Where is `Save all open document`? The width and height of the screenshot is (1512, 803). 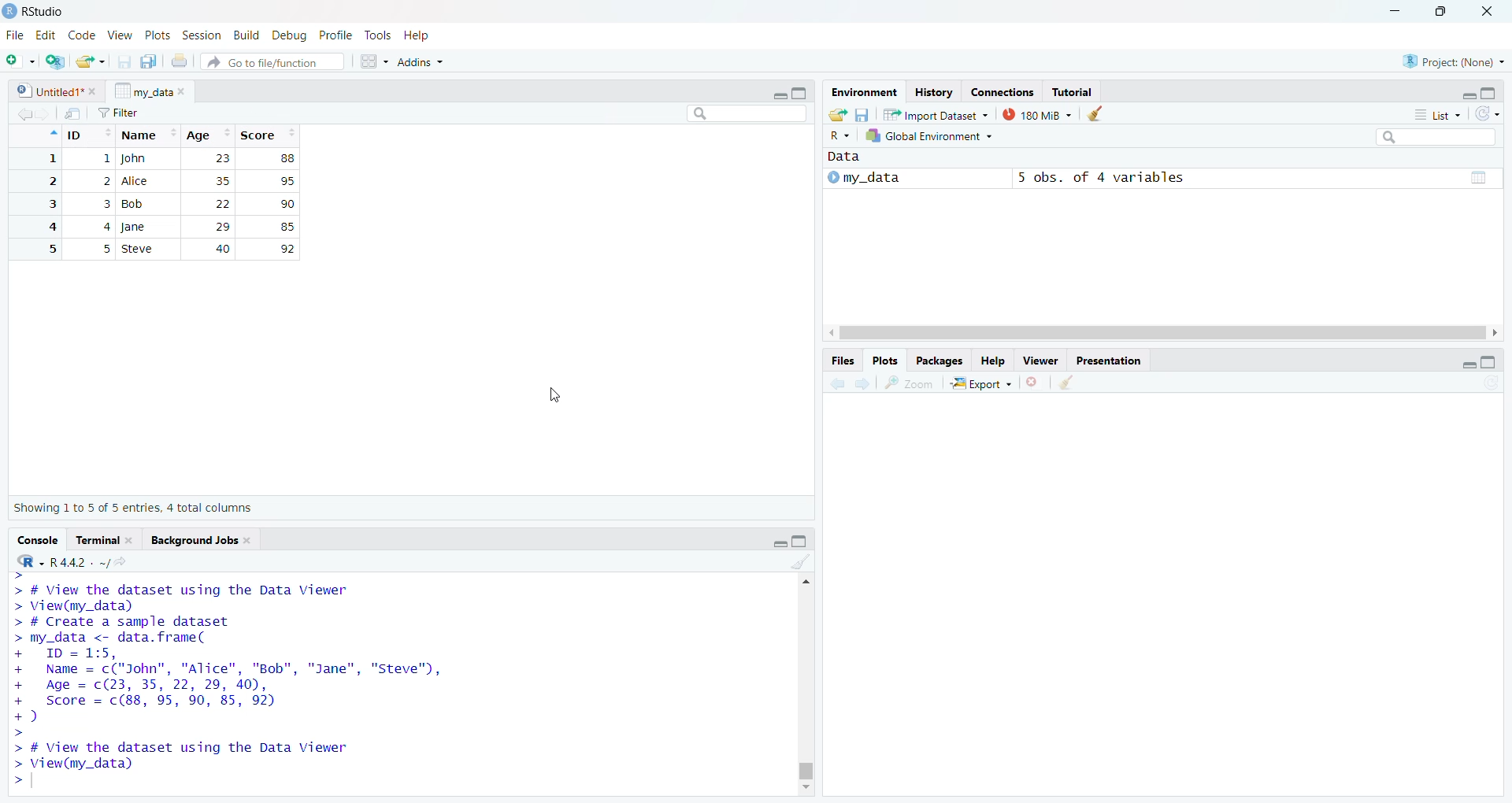
Save all open document is located at coordinates (151, 64).